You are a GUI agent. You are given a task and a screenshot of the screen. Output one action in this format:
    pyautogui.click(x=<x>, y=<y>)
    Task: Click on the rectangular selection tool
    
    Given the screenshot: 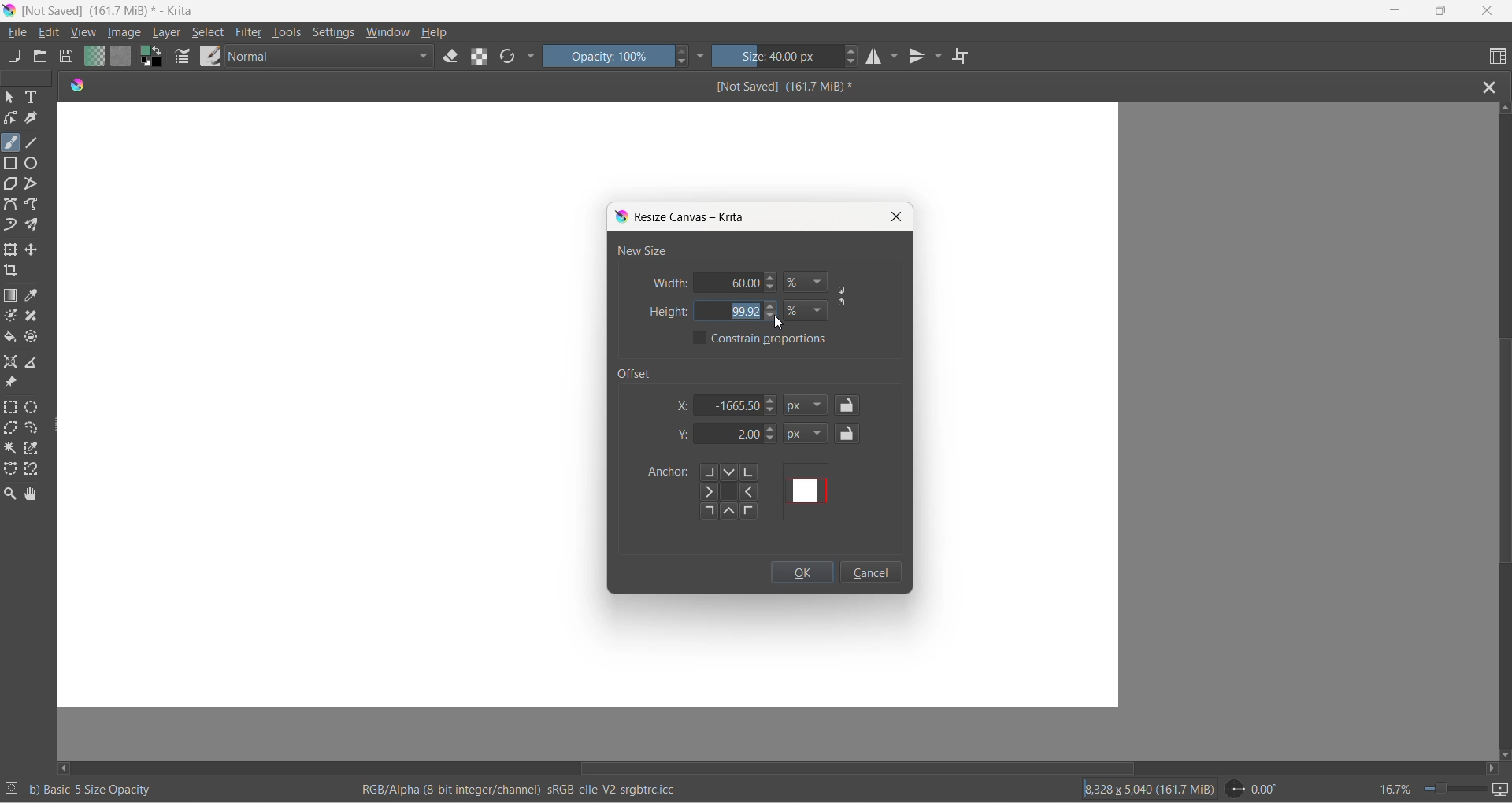 What is the action you would take?
    pyautogui.click(x=12, y=409)
    